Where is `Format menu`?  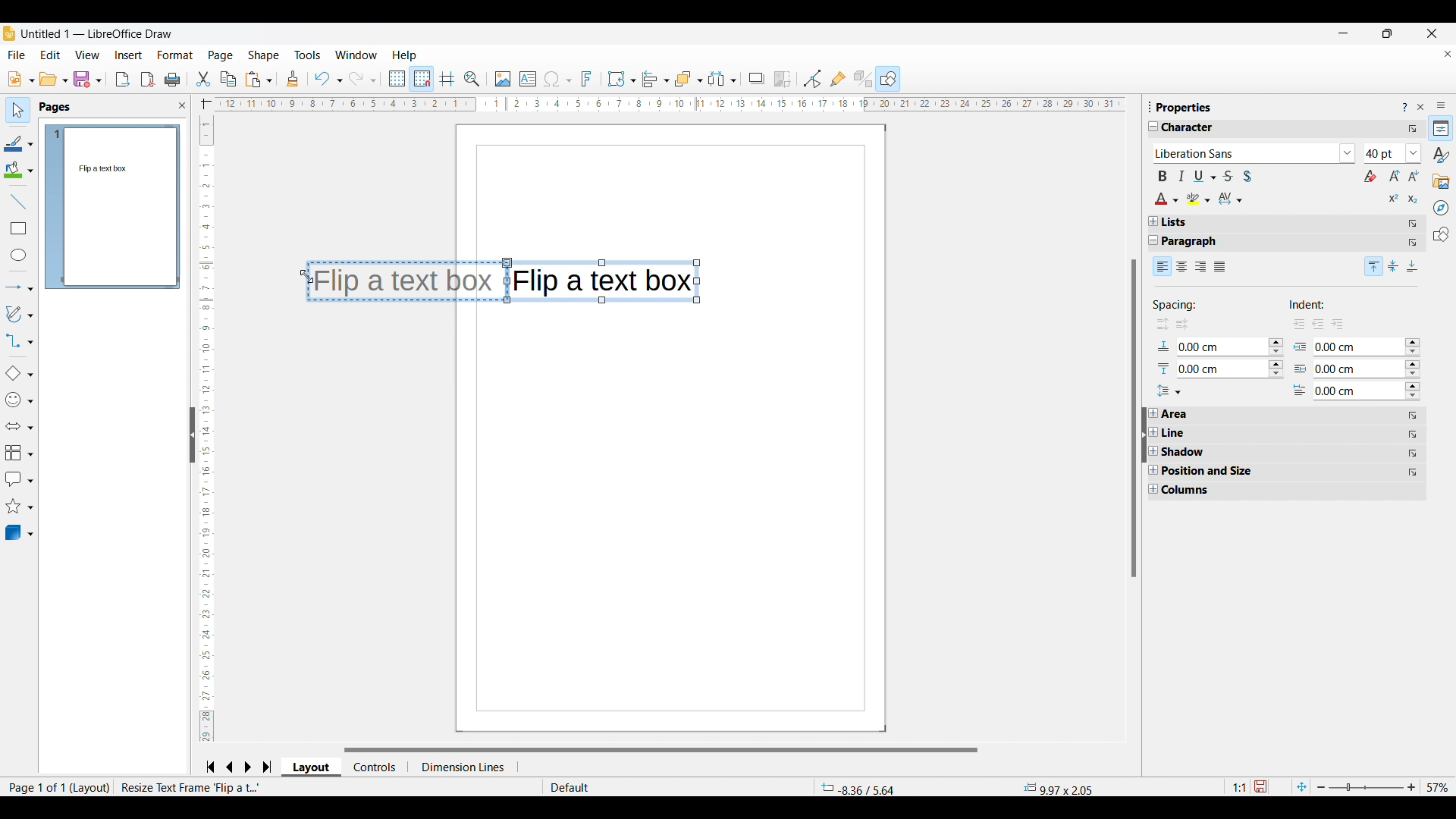 Format menu is located at coordinates (176, 55).